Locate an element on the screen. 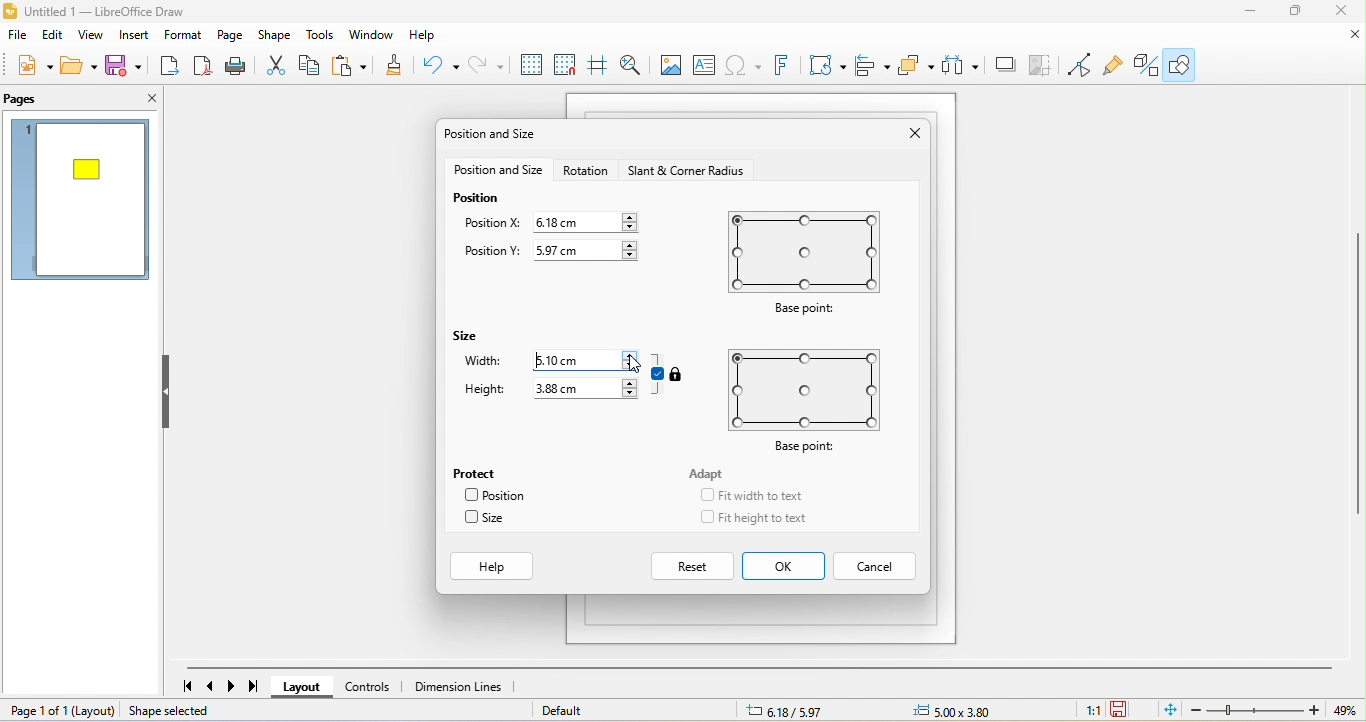 The width and height of the screenshot is (1366, 722). align object is located at coordinates (874, 67).